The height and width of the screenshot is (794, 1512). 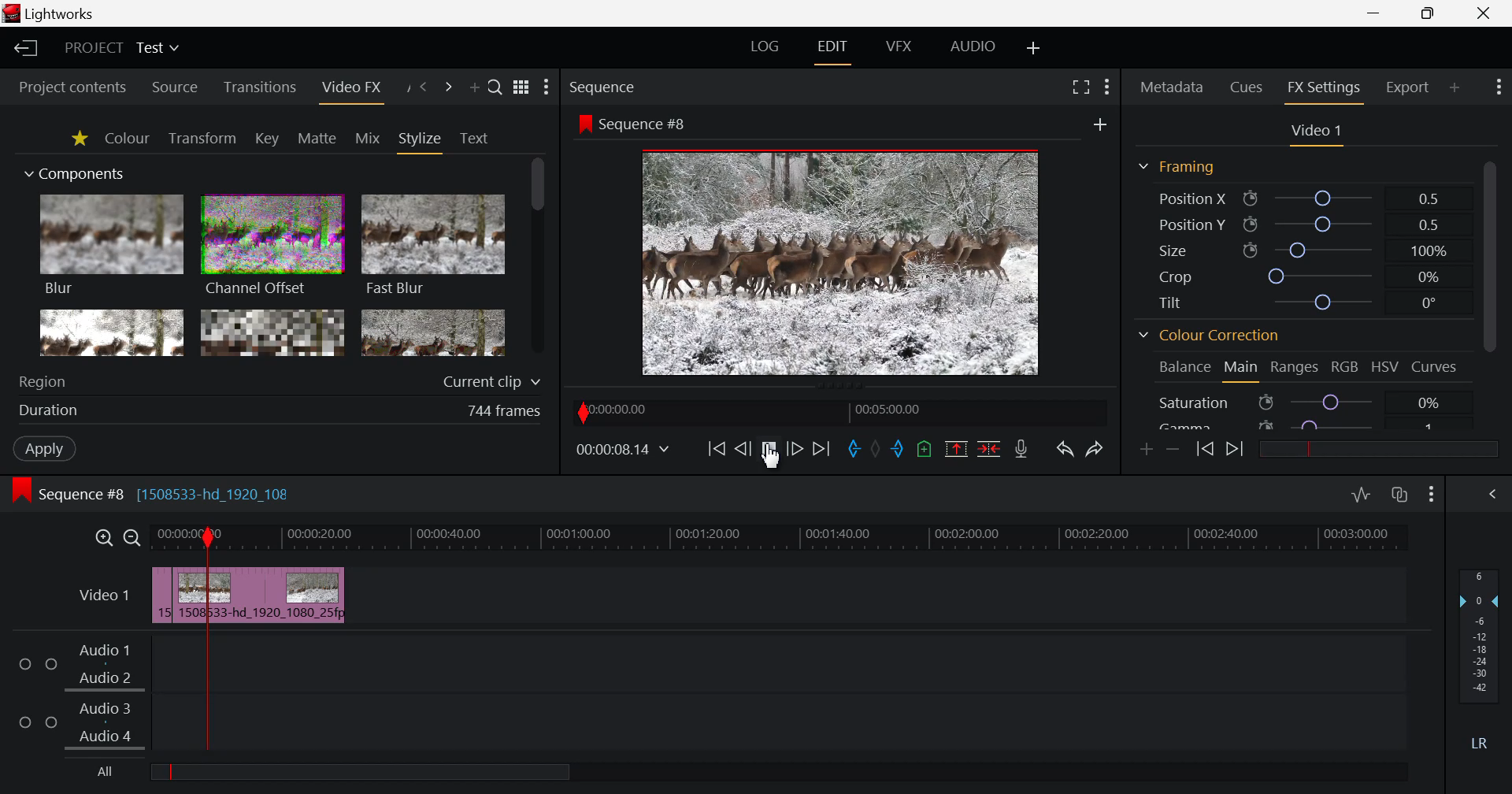 I want to click on Remove all marks, so click(x=880, y=447).